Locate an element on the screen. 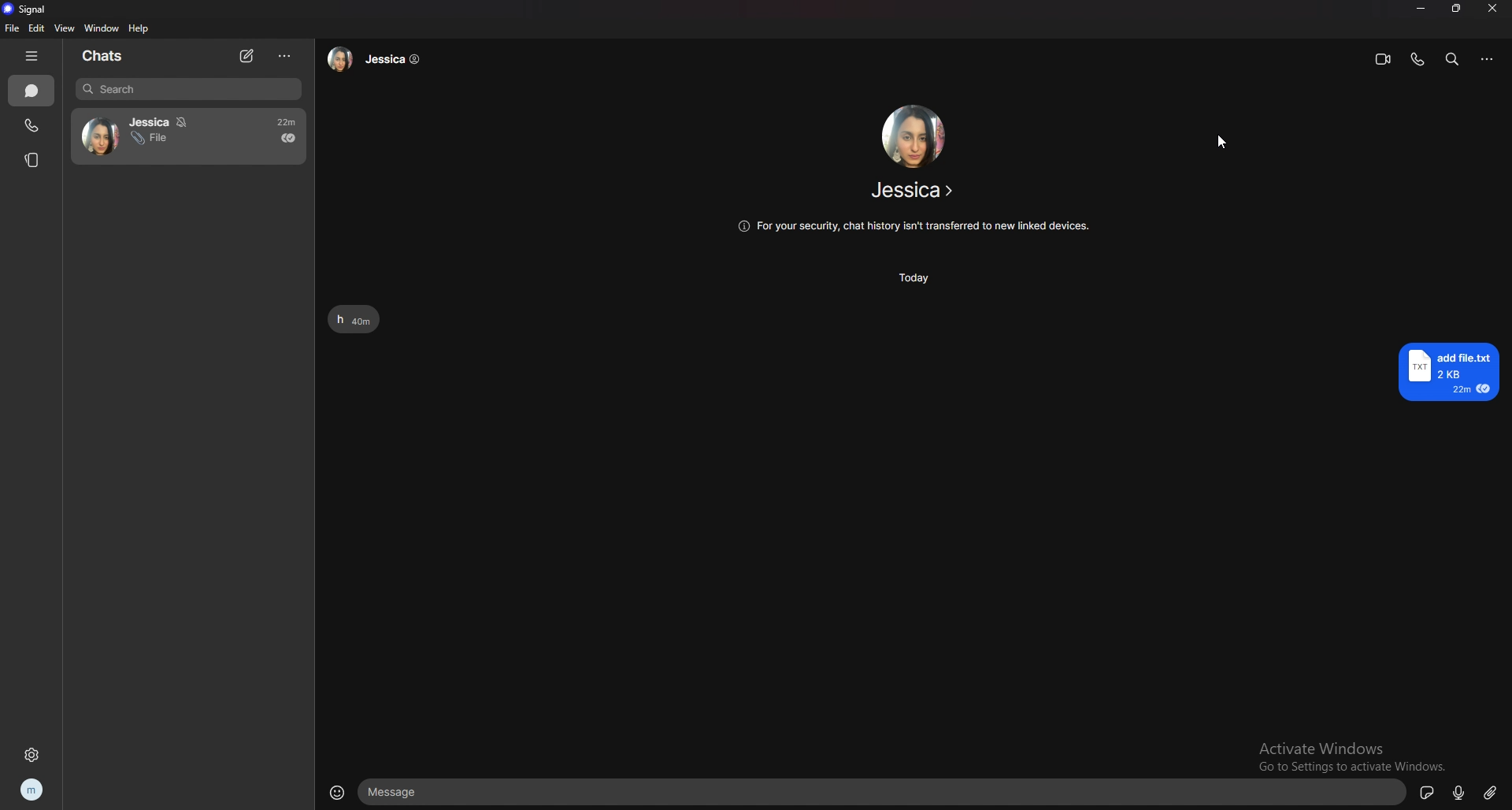 The image size is (1512, 810). chats is located at coordinates (109, 57).